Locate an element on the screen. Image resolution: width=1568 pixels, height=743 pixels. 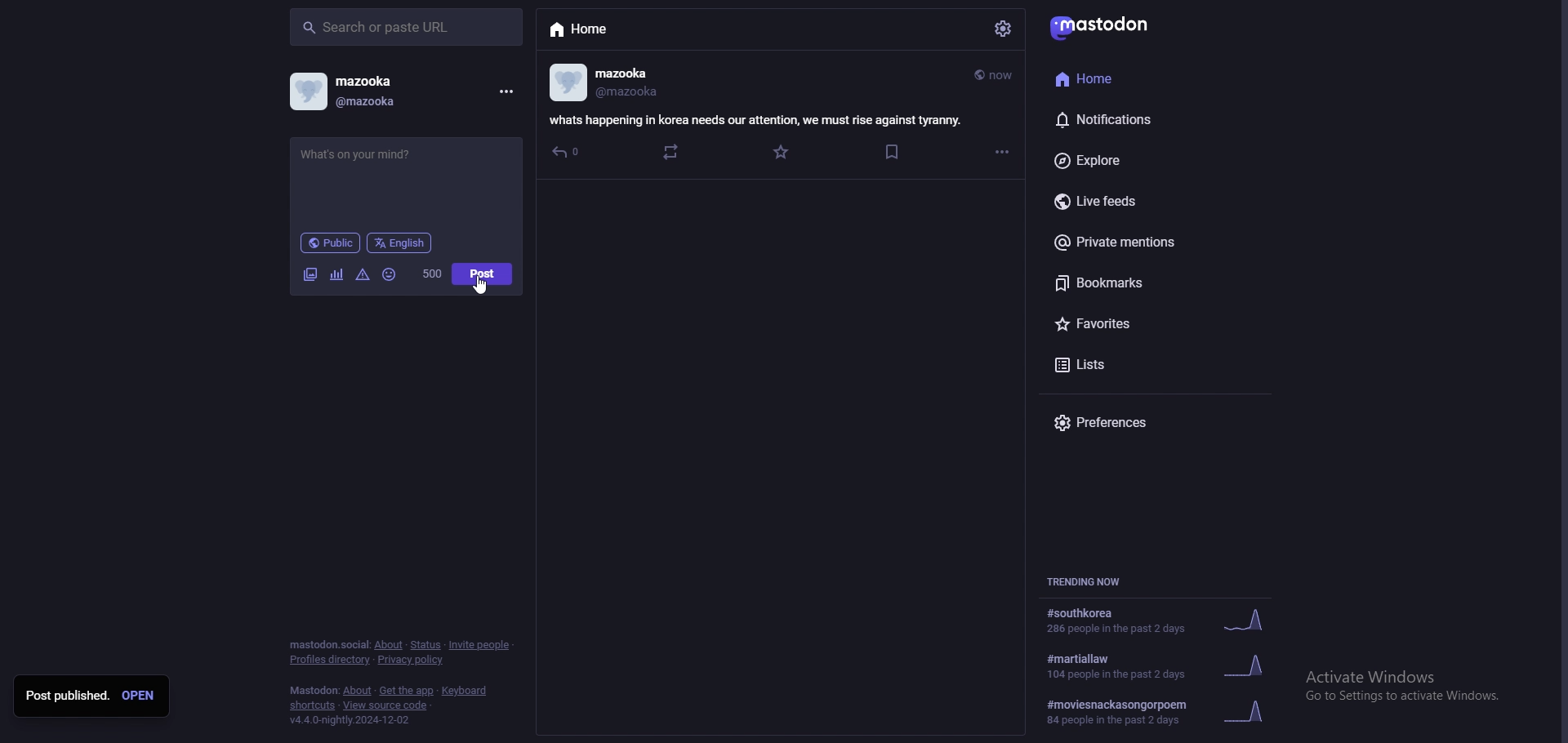
cursor is located at coordinates (479, 284).